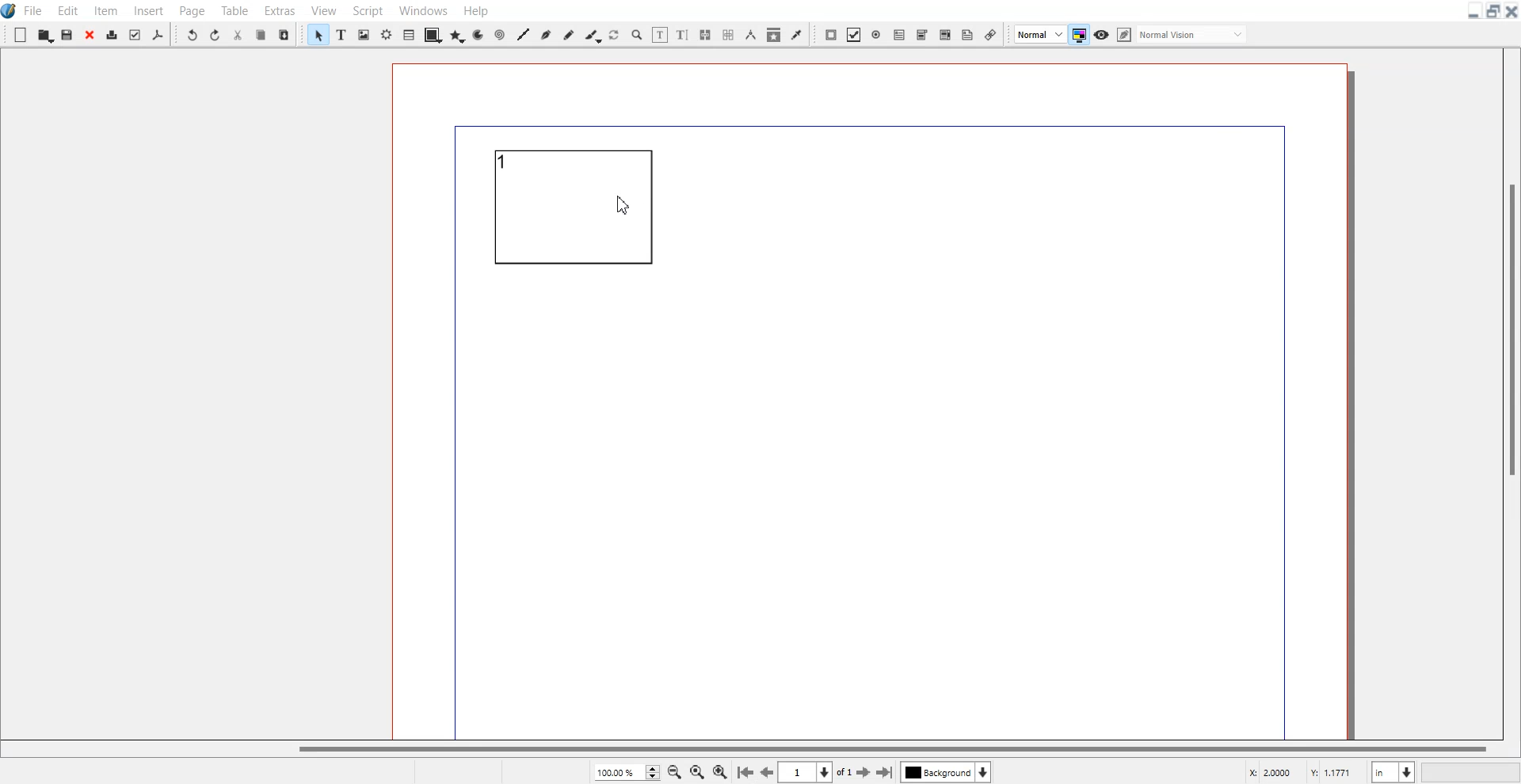 This screenshot has width=1521, height=784. What do you see at coordinates (745, 773) in the screenshot?
I see `Go to first Page` at bounding box center [745, 773].